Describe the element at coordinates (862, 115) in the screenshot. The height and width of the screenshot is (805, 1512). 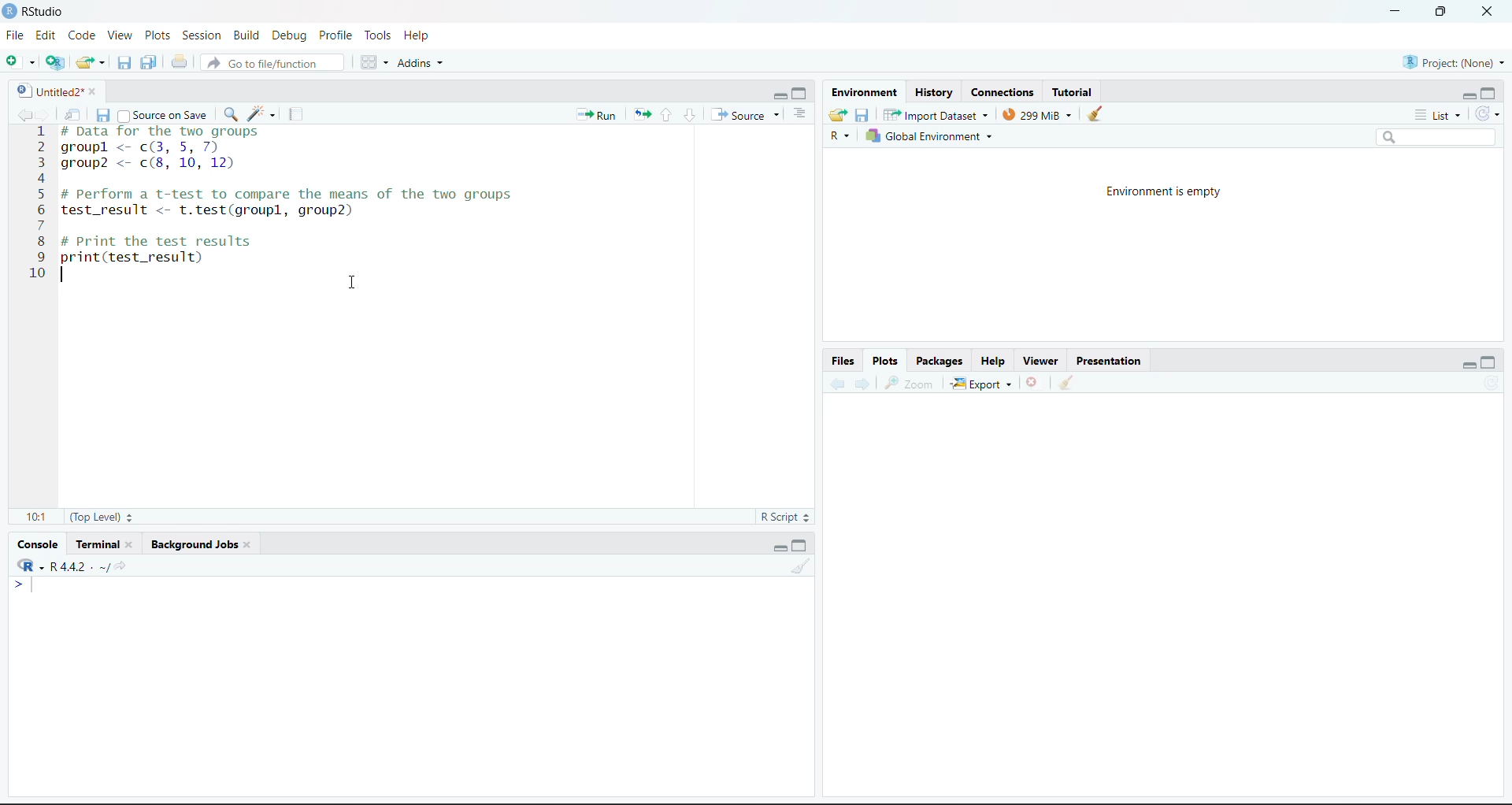
I see `save workspace as` at that location.